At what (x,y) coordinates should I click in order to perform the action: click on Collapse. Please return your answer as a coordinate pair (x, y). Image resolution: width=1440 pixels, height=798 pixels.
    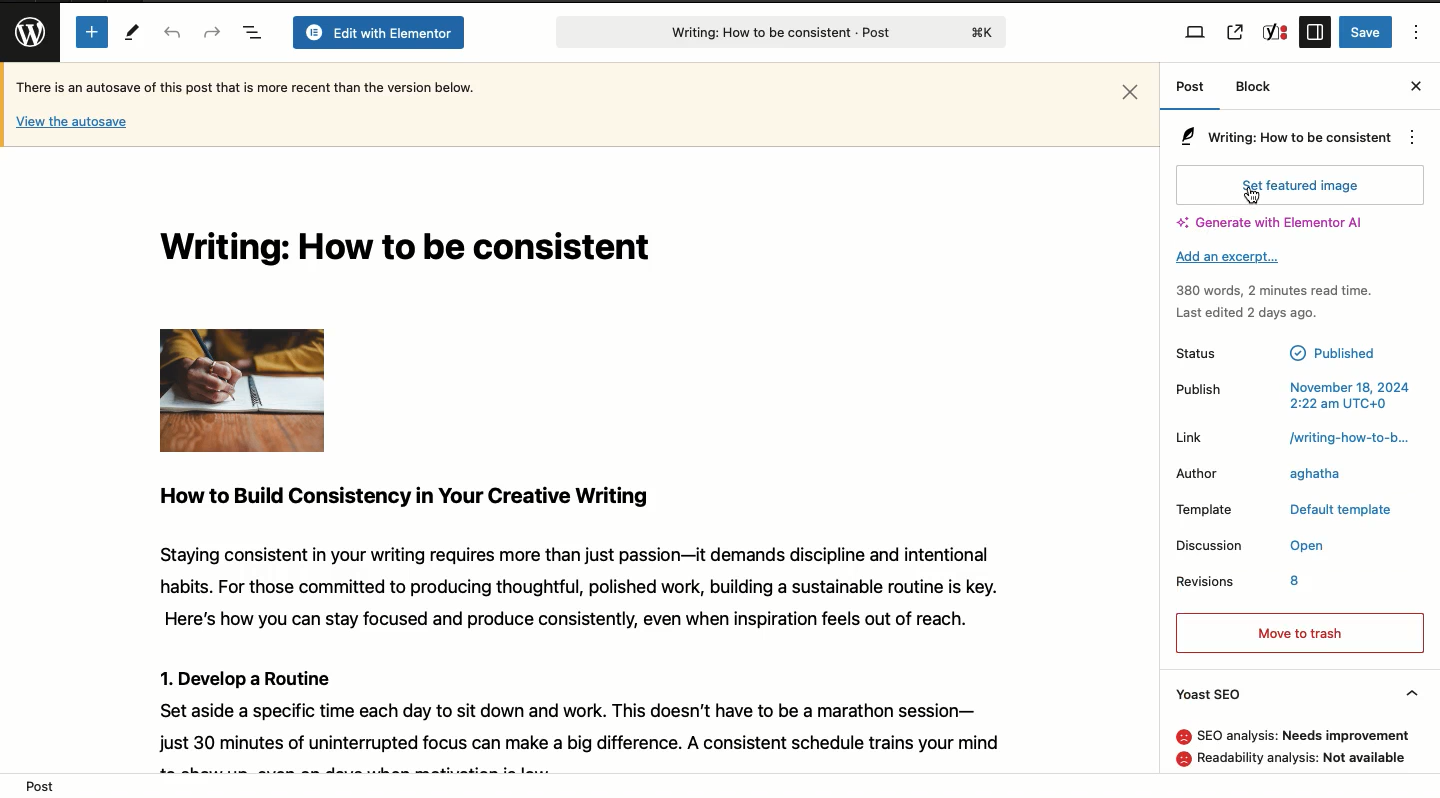
    Looking at the image, I should click on (1410, 688).